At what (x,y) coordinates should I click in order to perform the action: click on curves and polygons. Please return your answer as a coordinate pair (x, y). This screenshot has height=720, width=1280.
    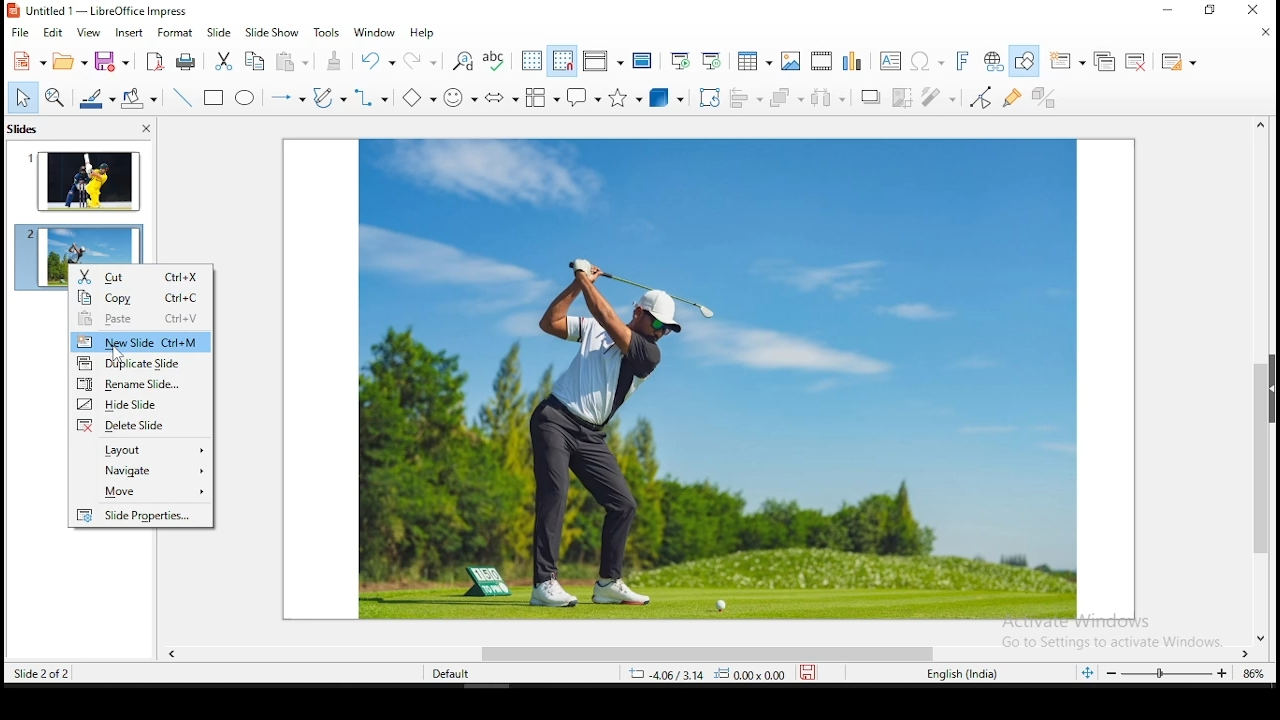
    Looking at the image, I should click on (328, 99).